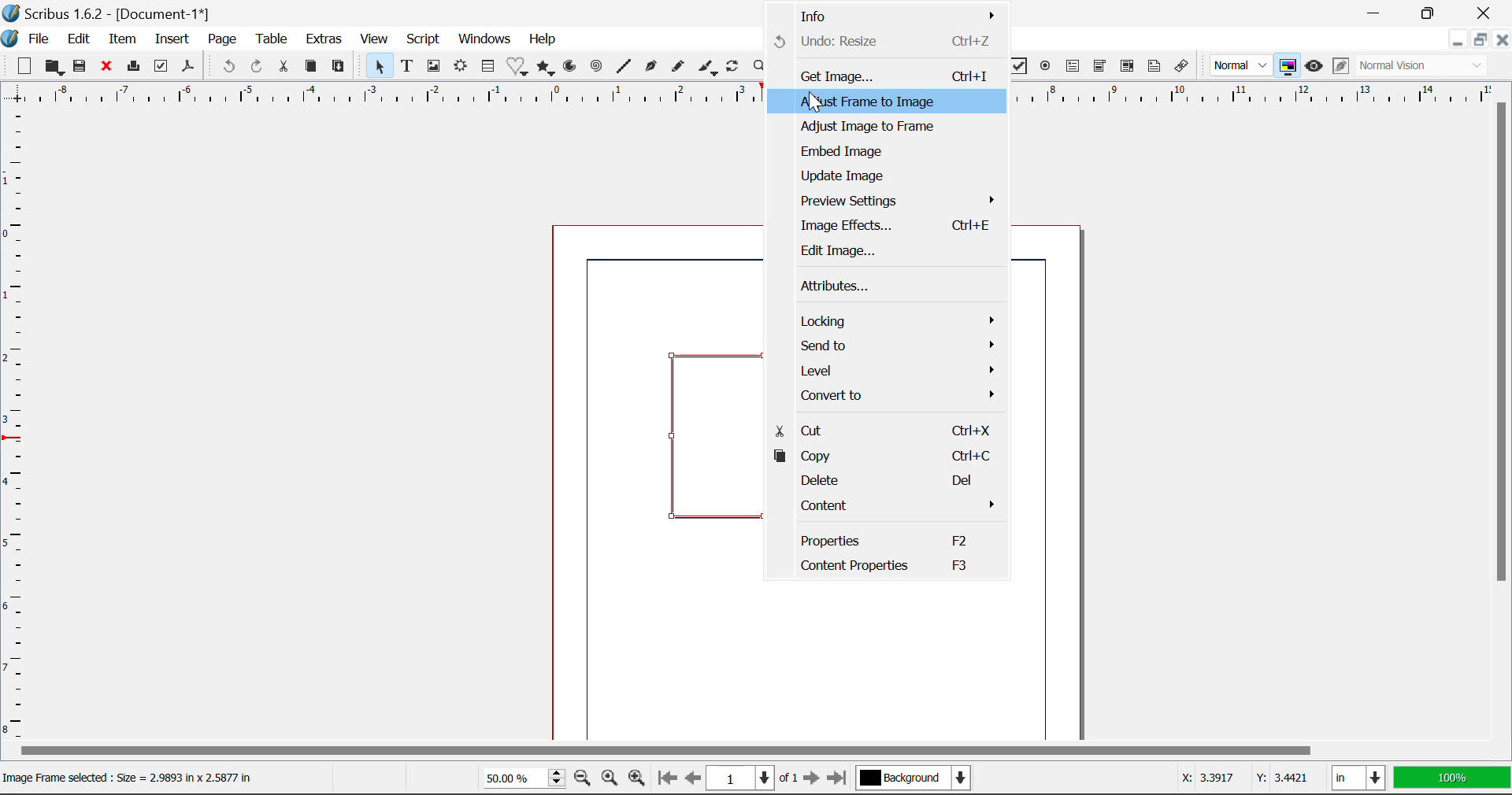  I want to click on Properties, so click(883, 539).